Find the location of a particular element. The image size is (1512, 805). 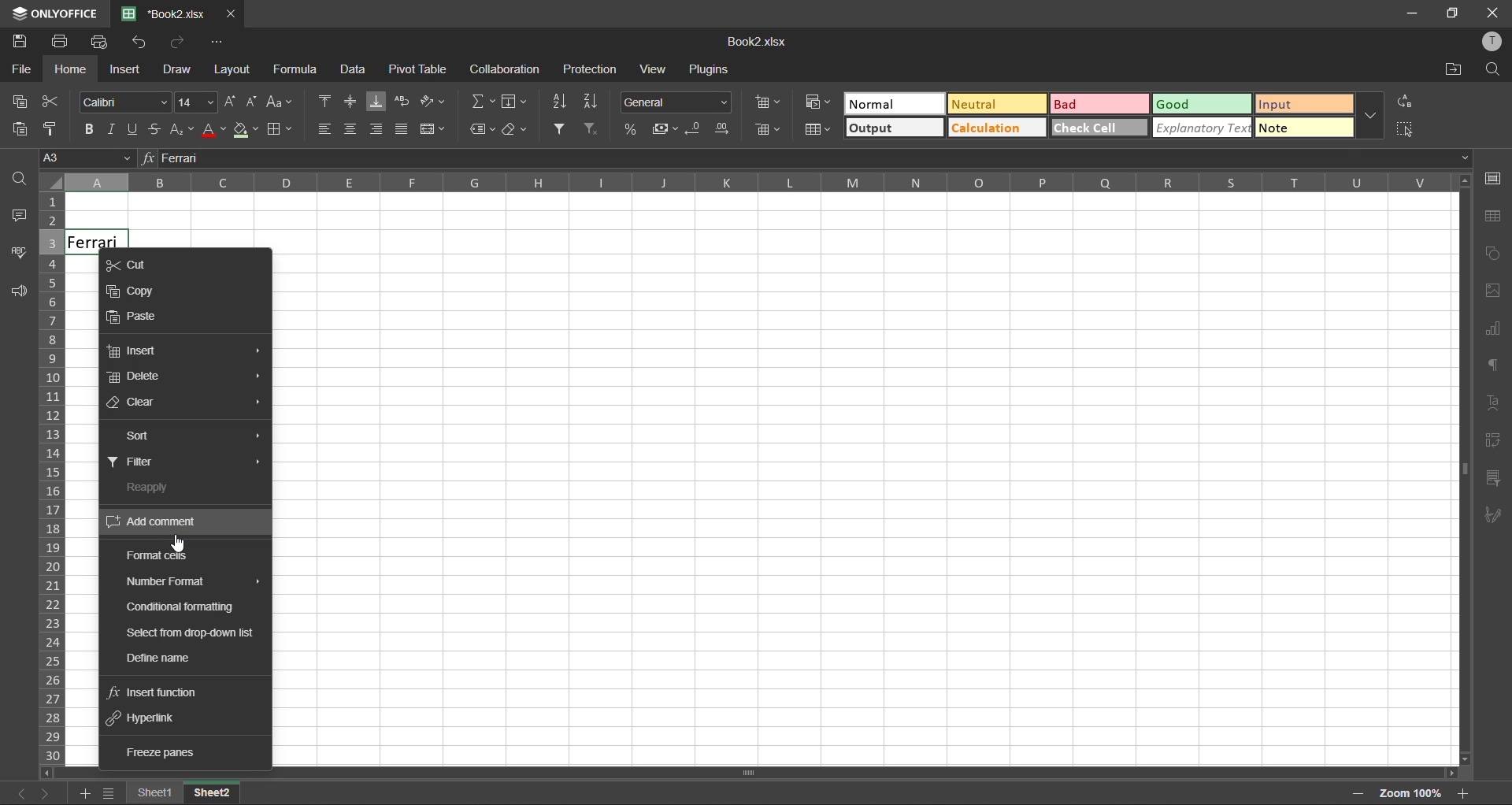

insert is located at coordinates (125, 69).